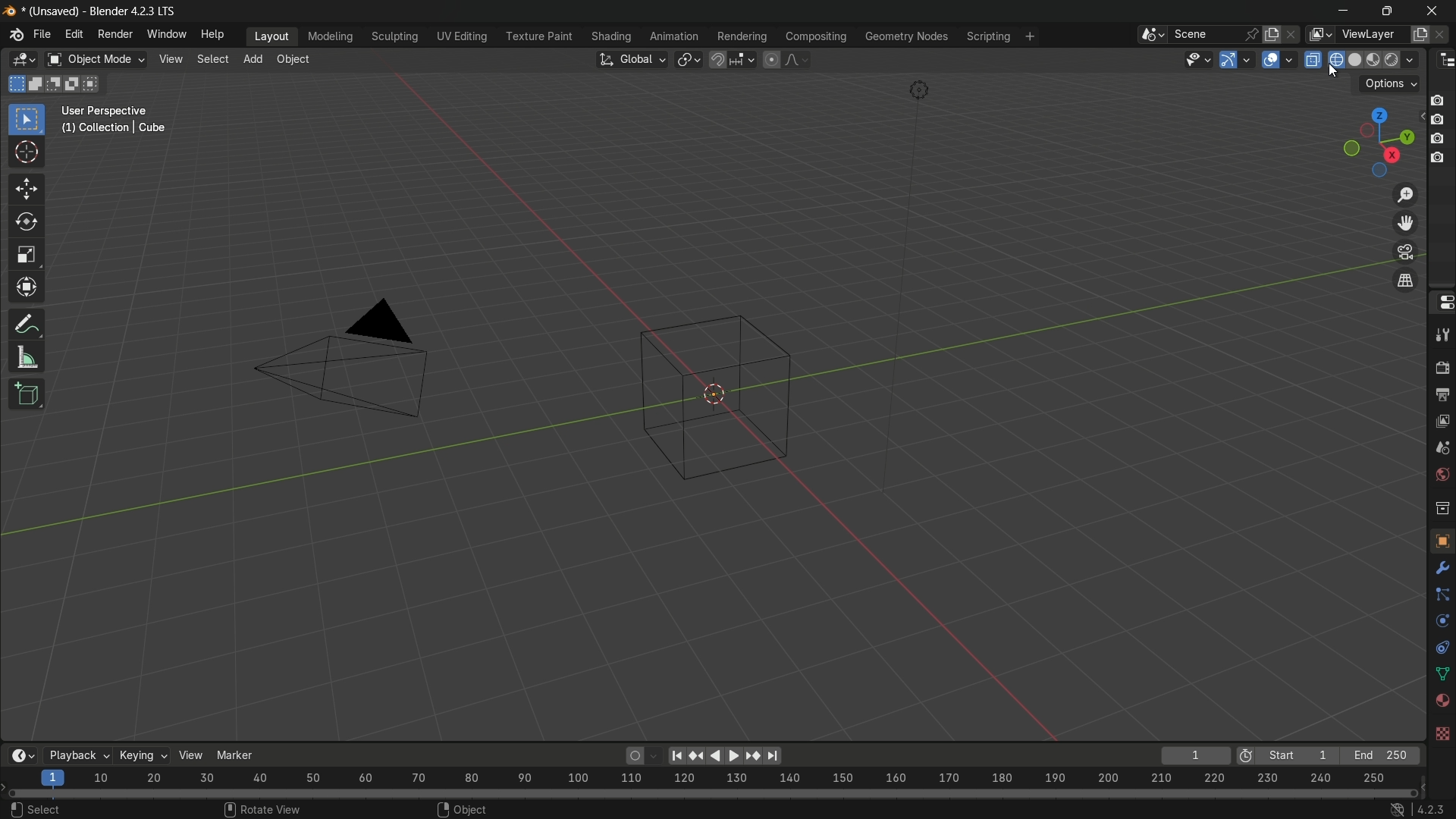 This screenshot has width=1456, height=819. What do you see at coordinates (717, 397) in the screenshot?
I see `figure` at bounding box center [717, 397].